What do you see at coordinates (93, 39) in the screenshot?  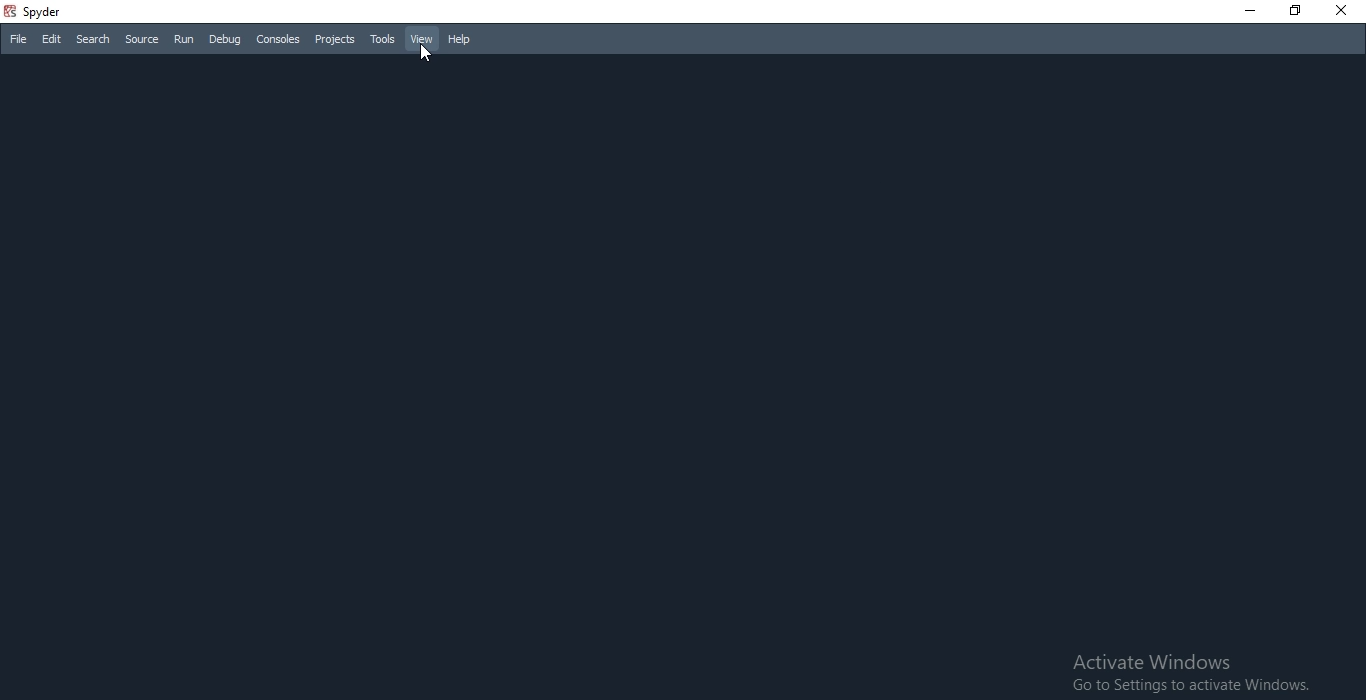 I see `Search` at bounding box center [93, 39].